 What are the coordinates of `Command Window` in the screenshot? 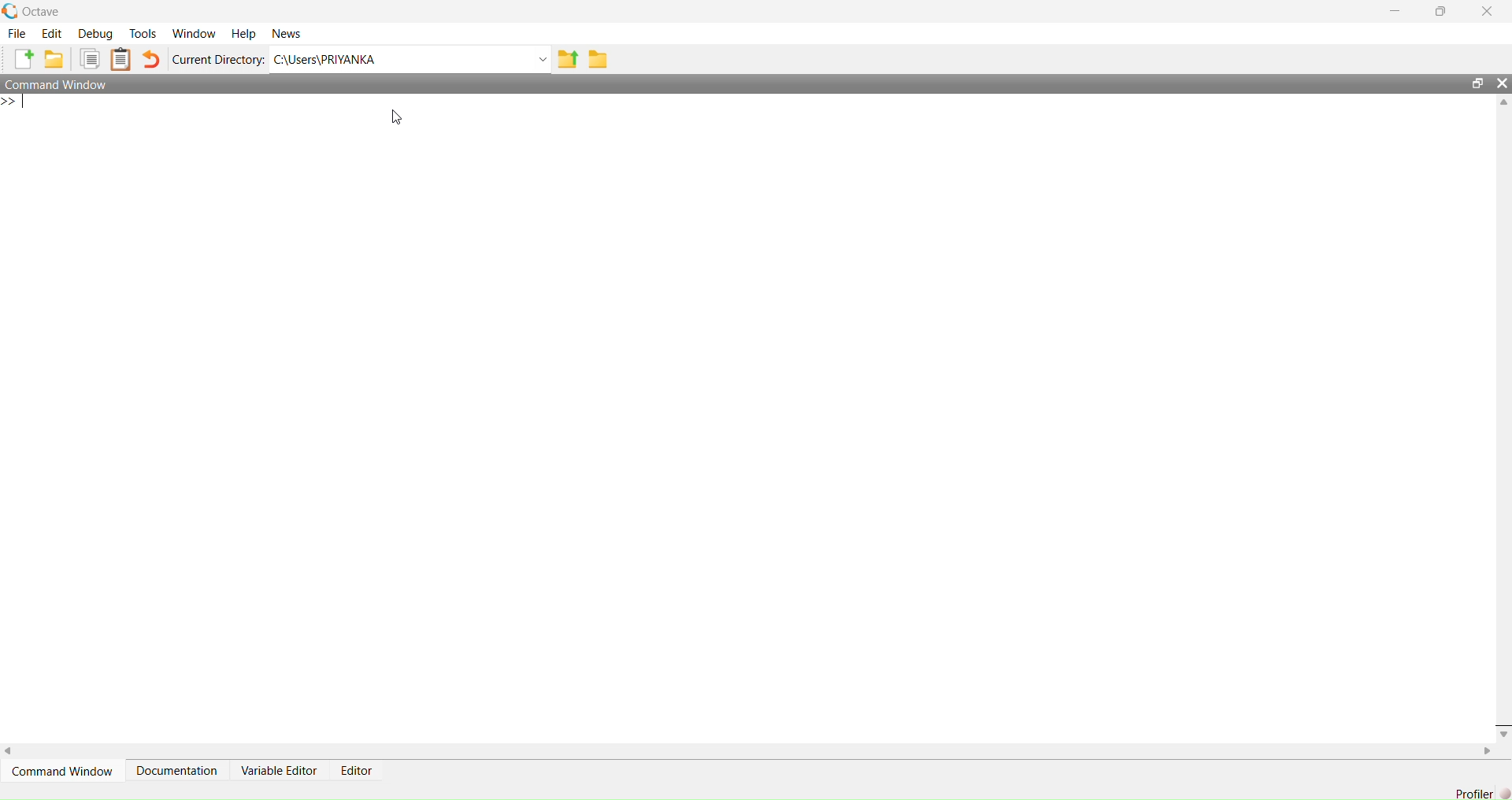 It's located at (66, 770).